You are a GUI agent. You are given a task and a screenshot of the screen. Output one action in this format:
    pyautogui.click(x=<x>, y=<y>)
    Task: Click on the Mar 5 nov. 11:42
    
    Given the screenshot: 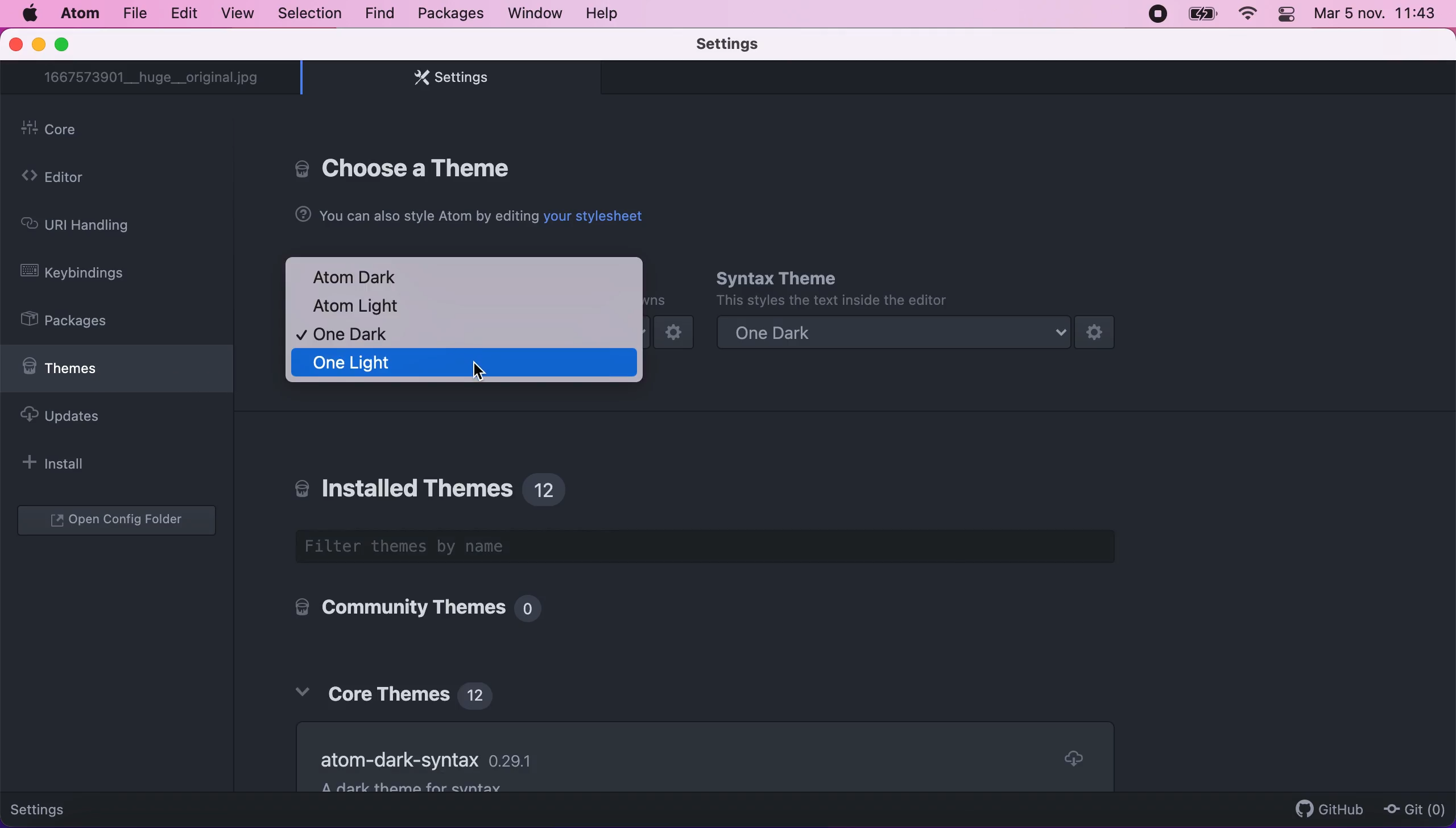 What is the action you would take?
    pyautogui.click(x=1378, y=16)
    